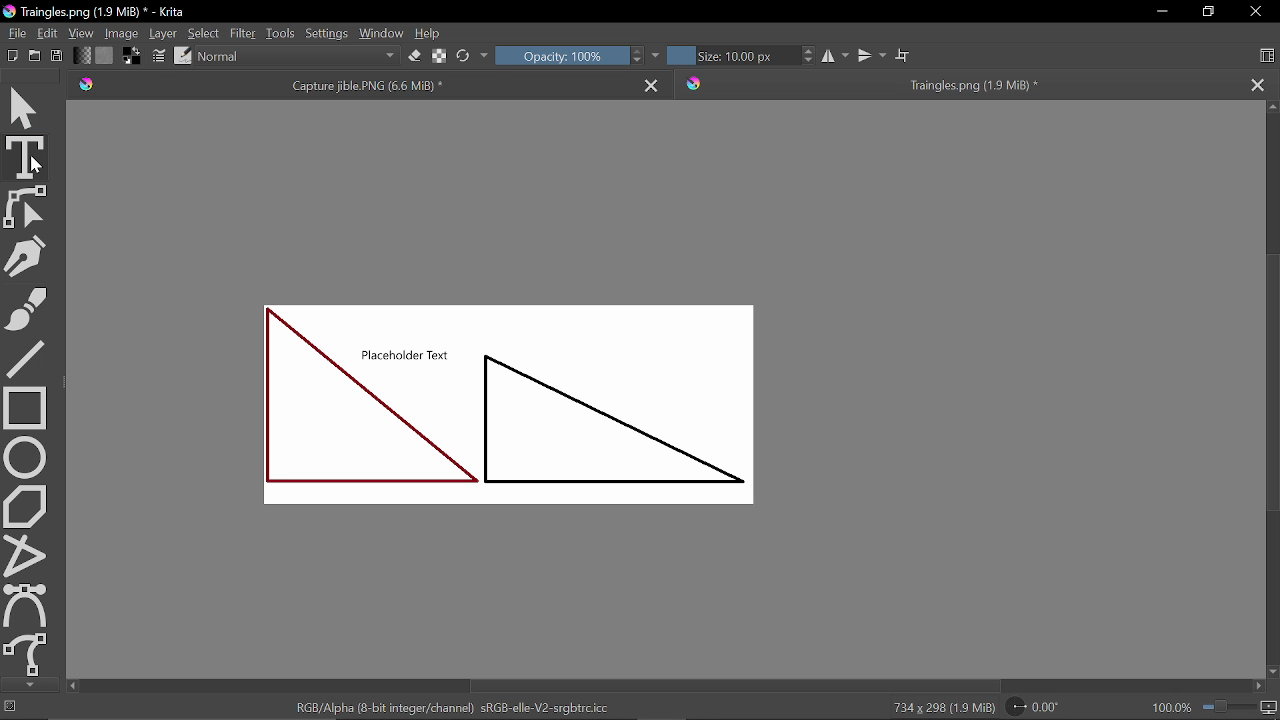 This screenshot has height=720, width=1280. What do you see at coordinates (243, 33) in the screenshot?
I see `Filter` at bounding box center [243, 33].